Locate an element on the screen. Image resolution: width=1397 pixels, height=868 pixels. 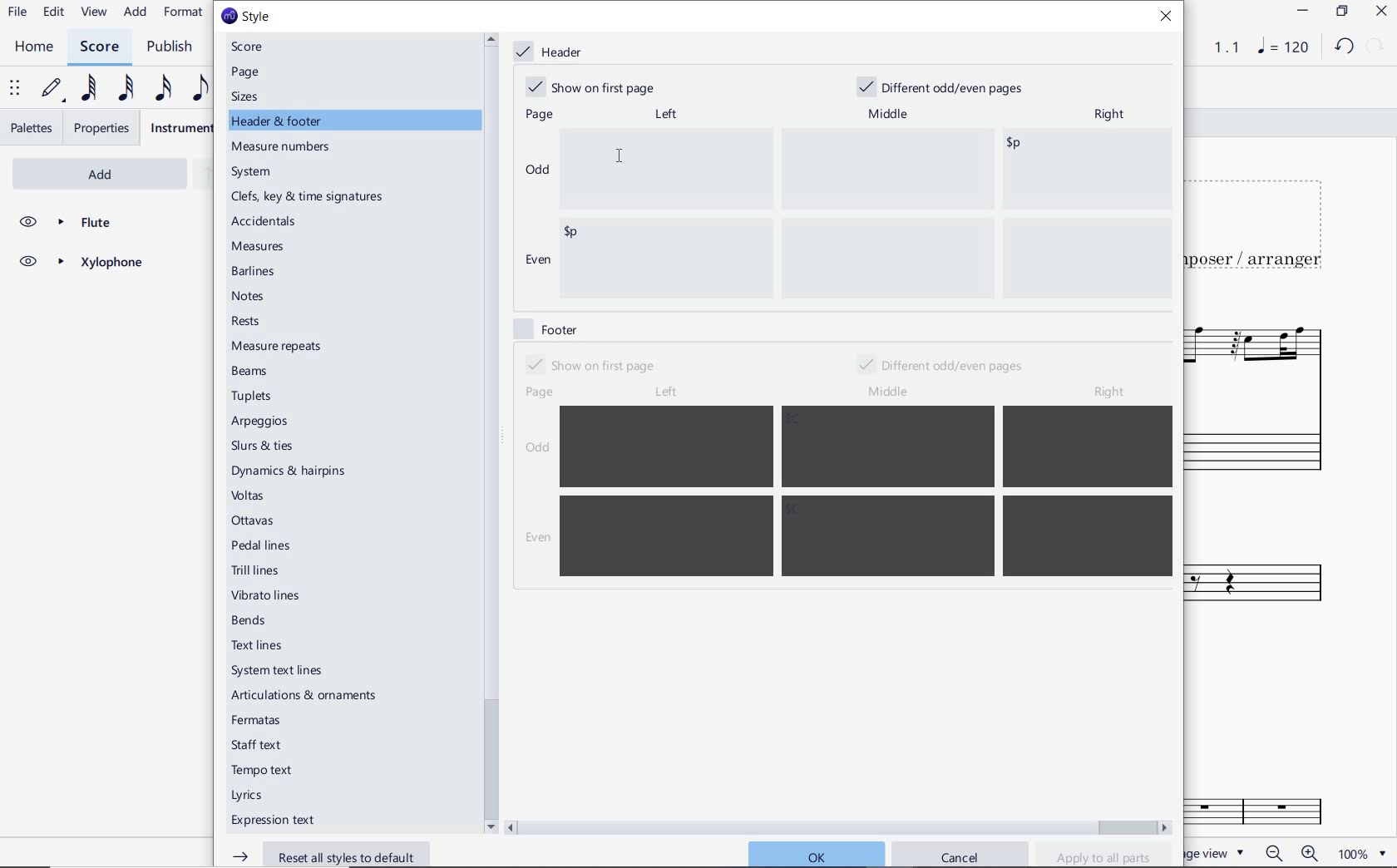
page is located at coordinates (541, 392).